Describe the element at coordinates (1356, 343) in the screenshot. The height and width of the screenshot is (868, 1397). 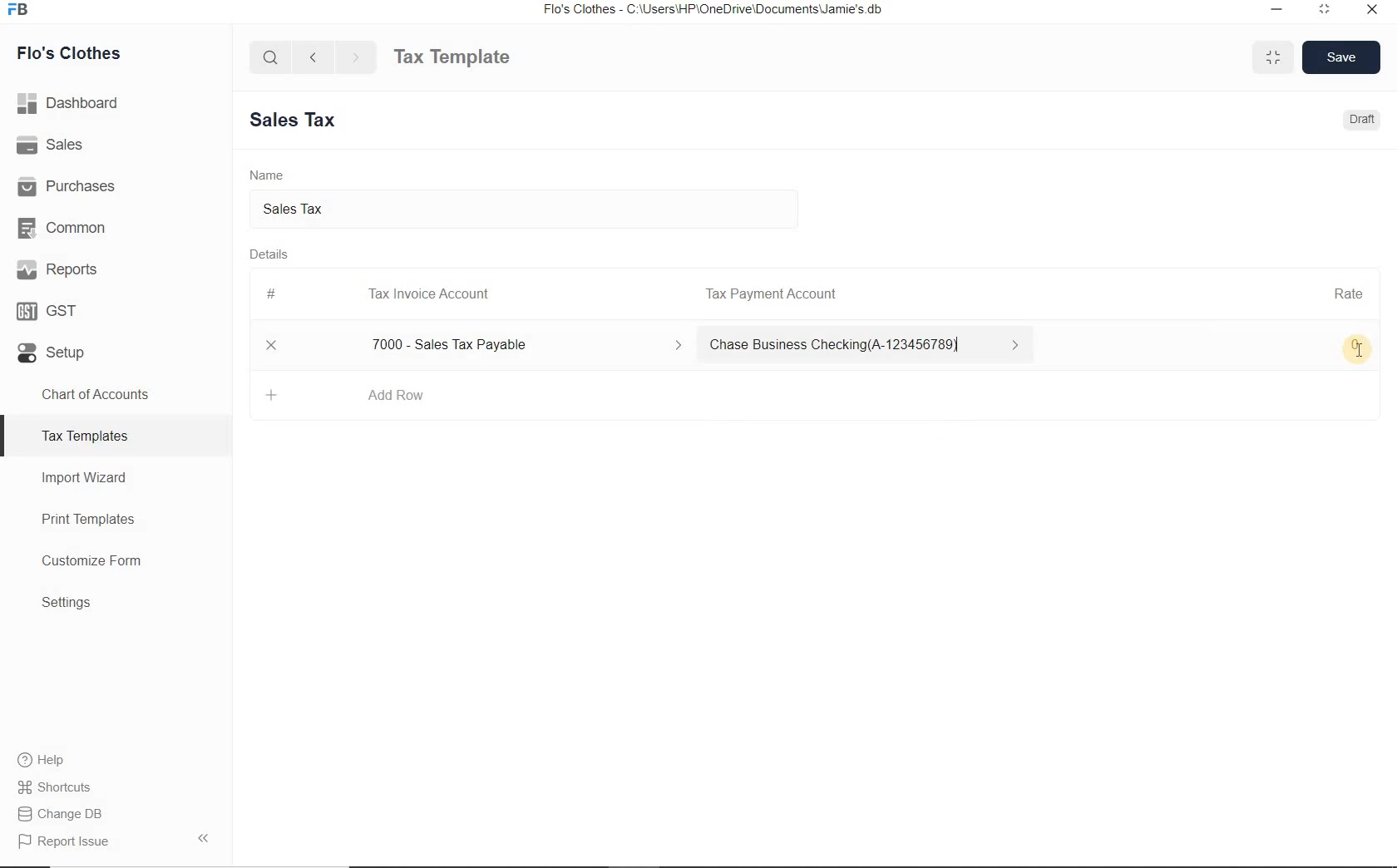
I see `0` at that location.